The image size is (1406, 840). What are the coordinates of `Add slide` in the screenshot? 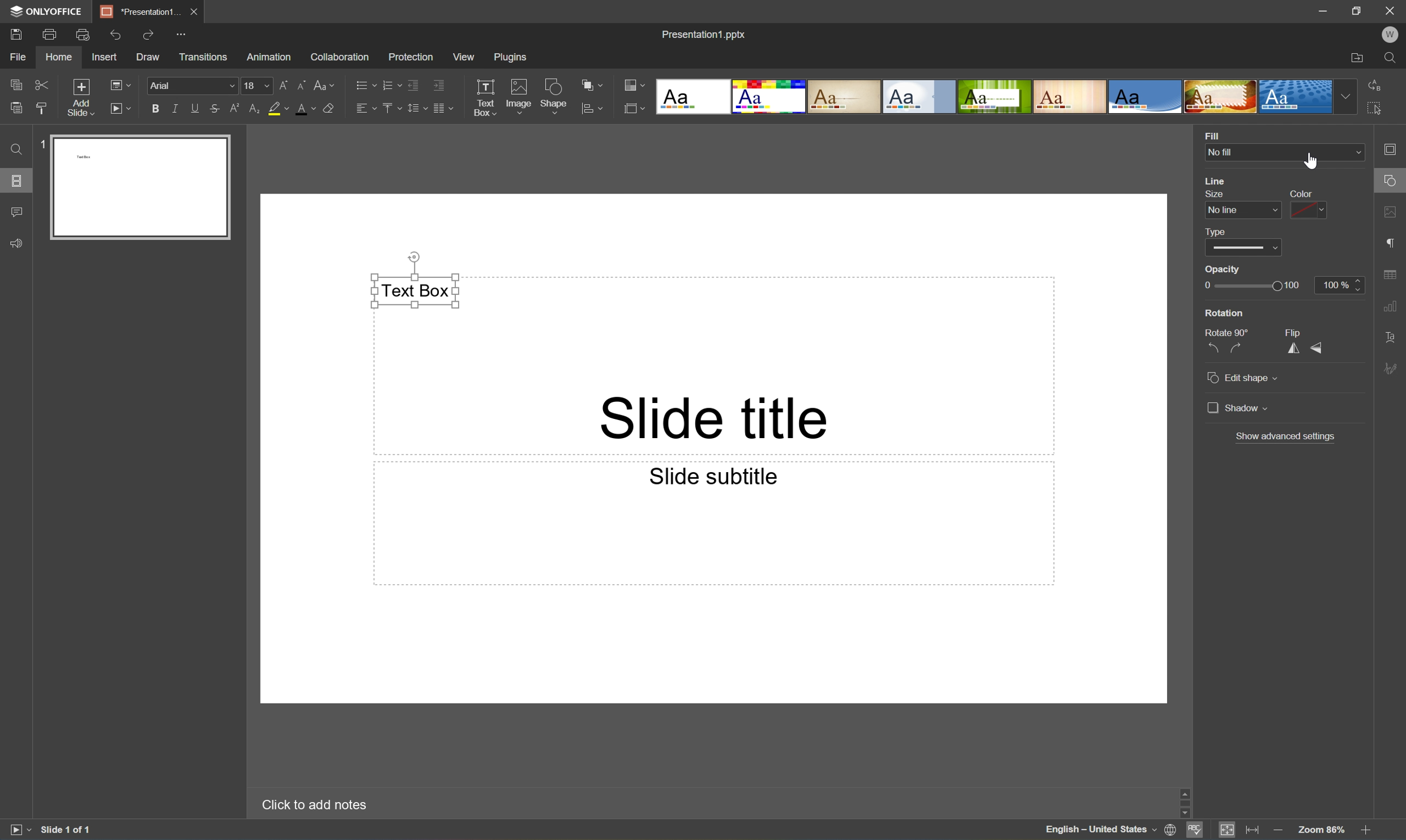 It's located at (81, 97).